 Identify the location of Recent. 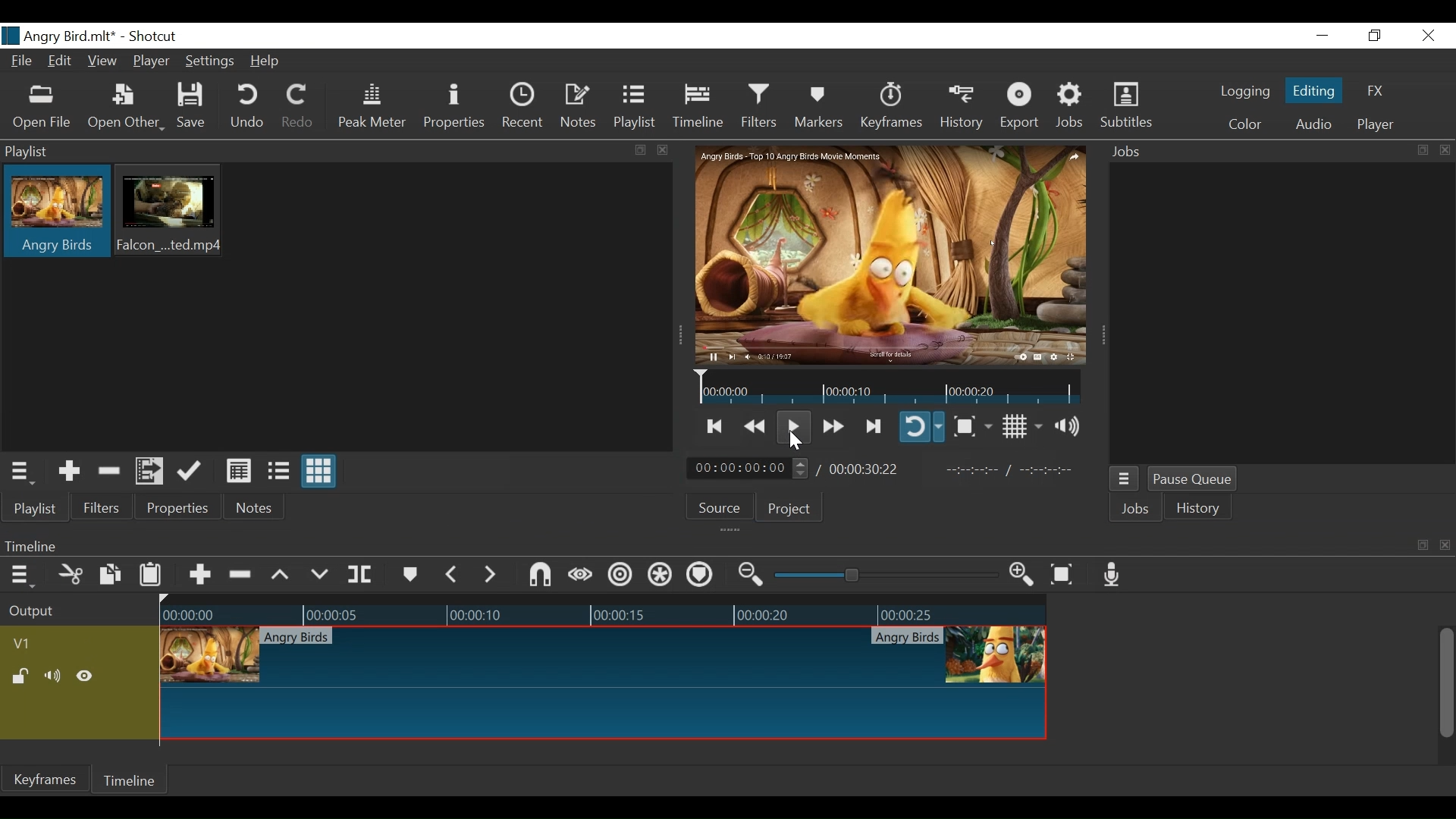
(526, 108).